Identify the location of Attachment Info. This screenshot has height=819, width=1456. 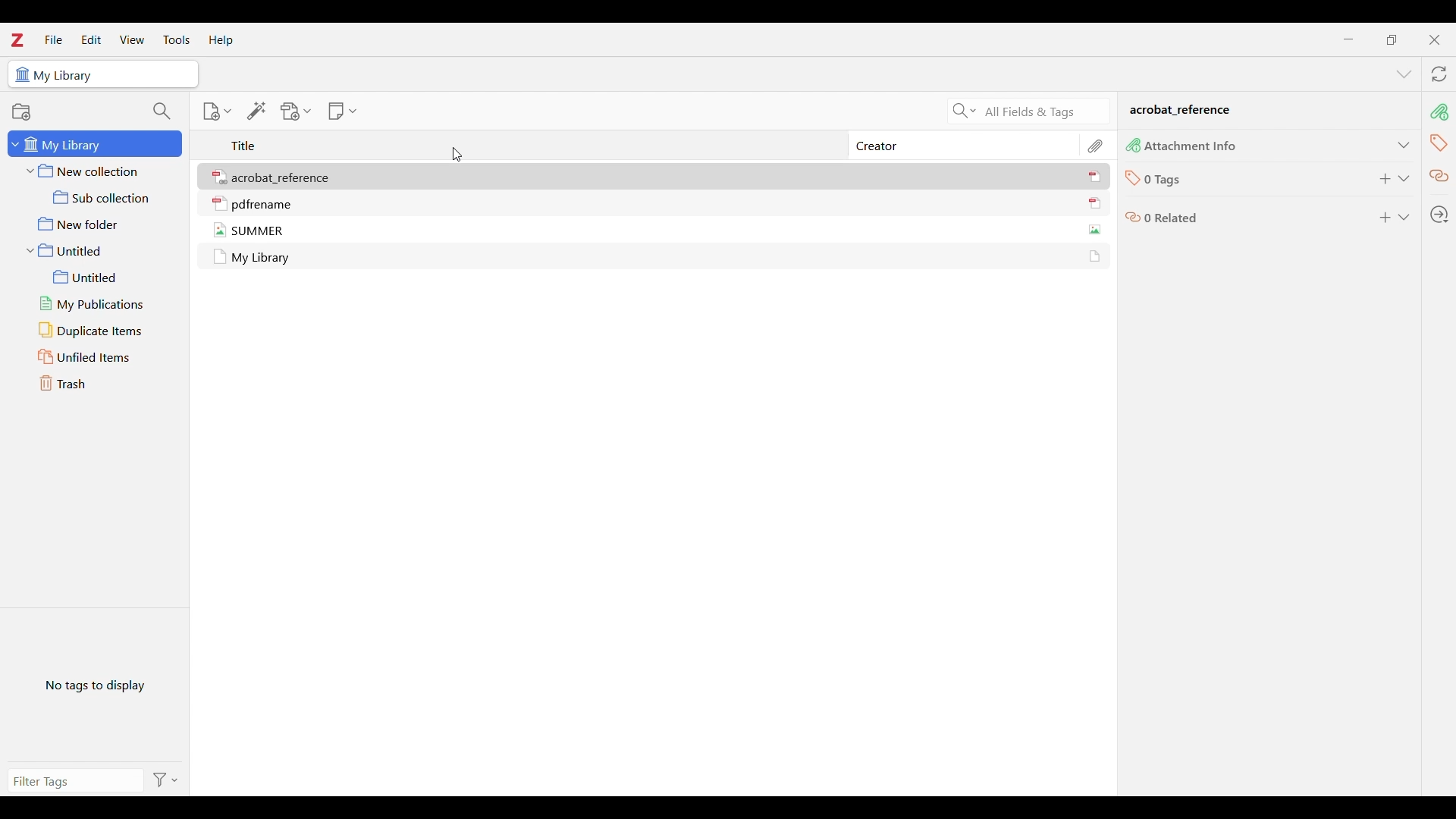
(1192, 147).